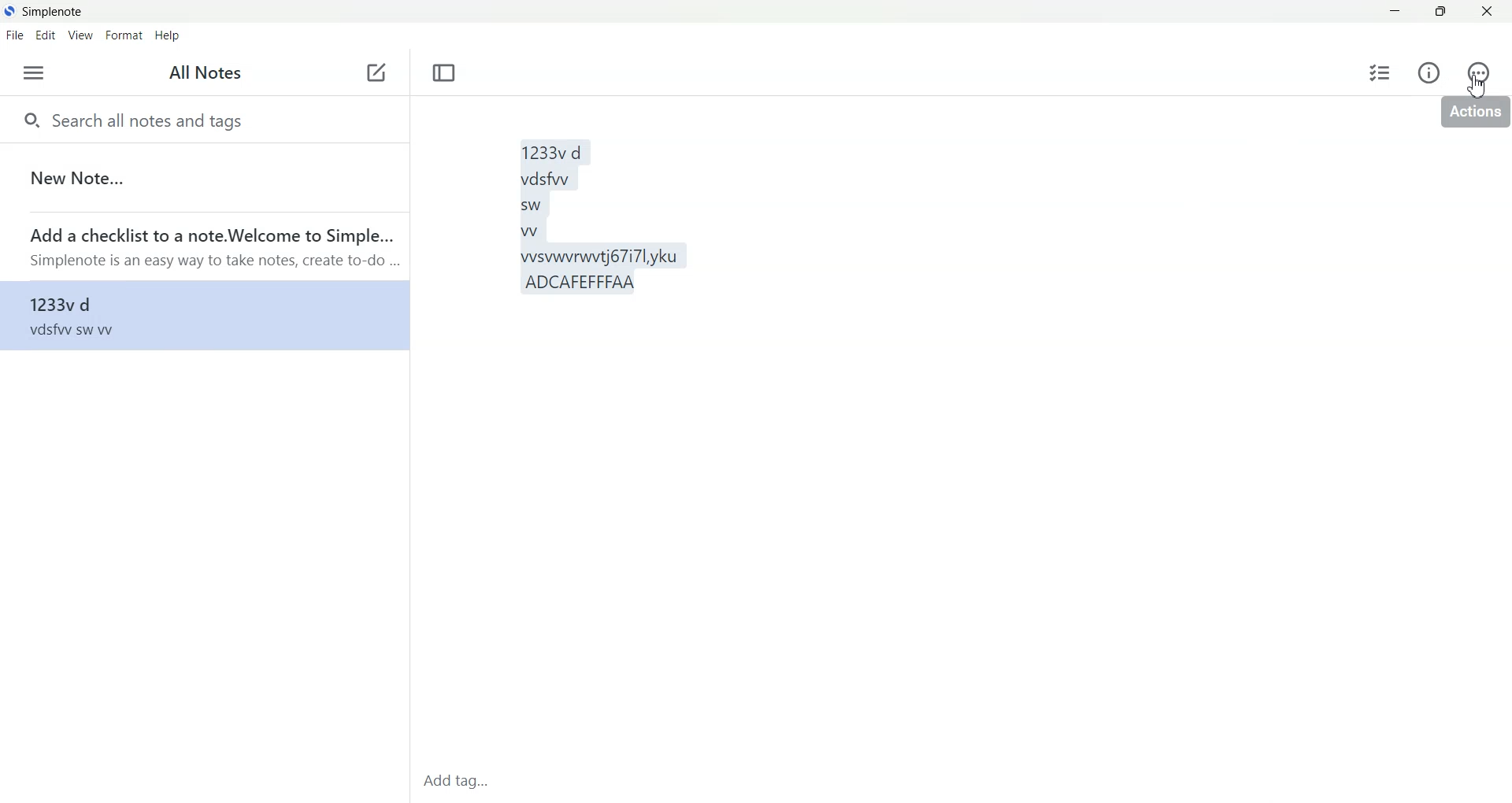 The height and width of the screenshot is (803, 1512). I want to click on Add new notes, so click(375, 73).